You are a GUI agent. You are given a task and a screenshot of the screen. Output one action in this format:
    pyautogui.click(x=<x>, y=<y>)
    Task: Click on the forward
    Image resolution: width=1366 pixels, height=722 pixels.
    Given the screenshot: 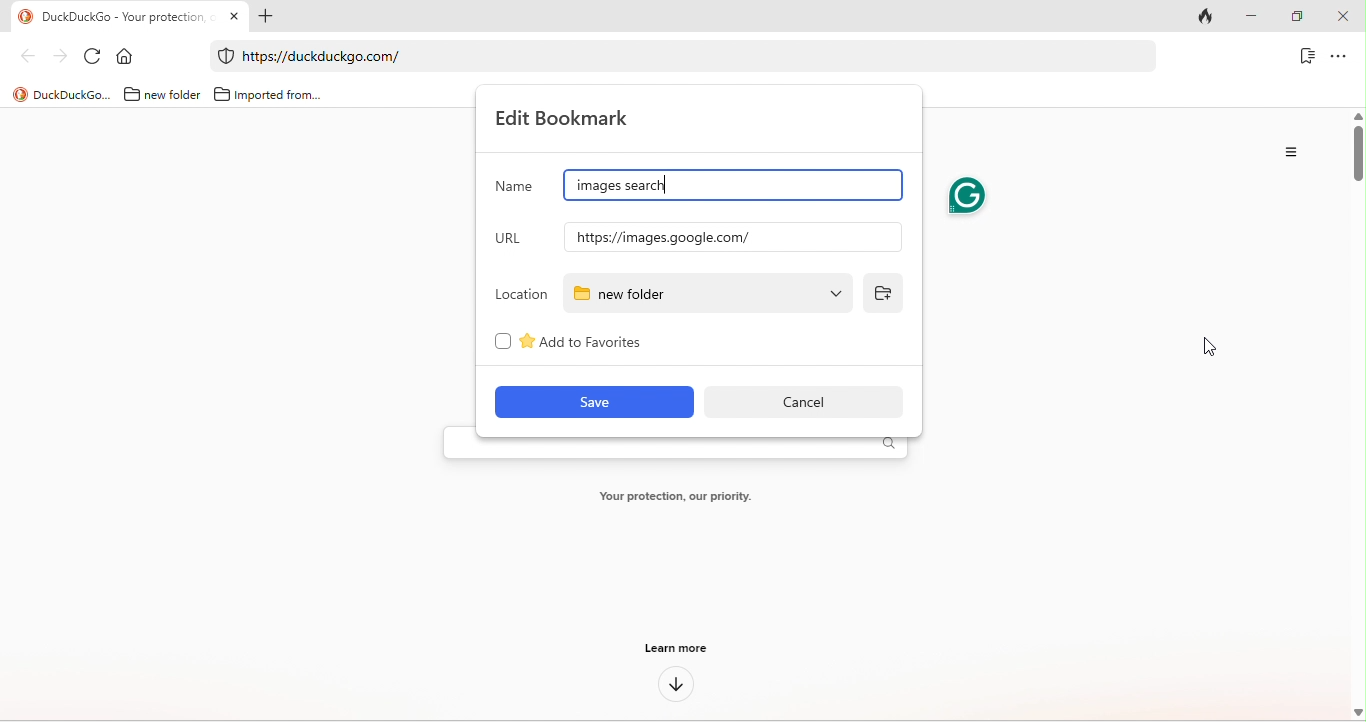 What is the action you would take?
    pyautogui.click(x=56, y=55)
    